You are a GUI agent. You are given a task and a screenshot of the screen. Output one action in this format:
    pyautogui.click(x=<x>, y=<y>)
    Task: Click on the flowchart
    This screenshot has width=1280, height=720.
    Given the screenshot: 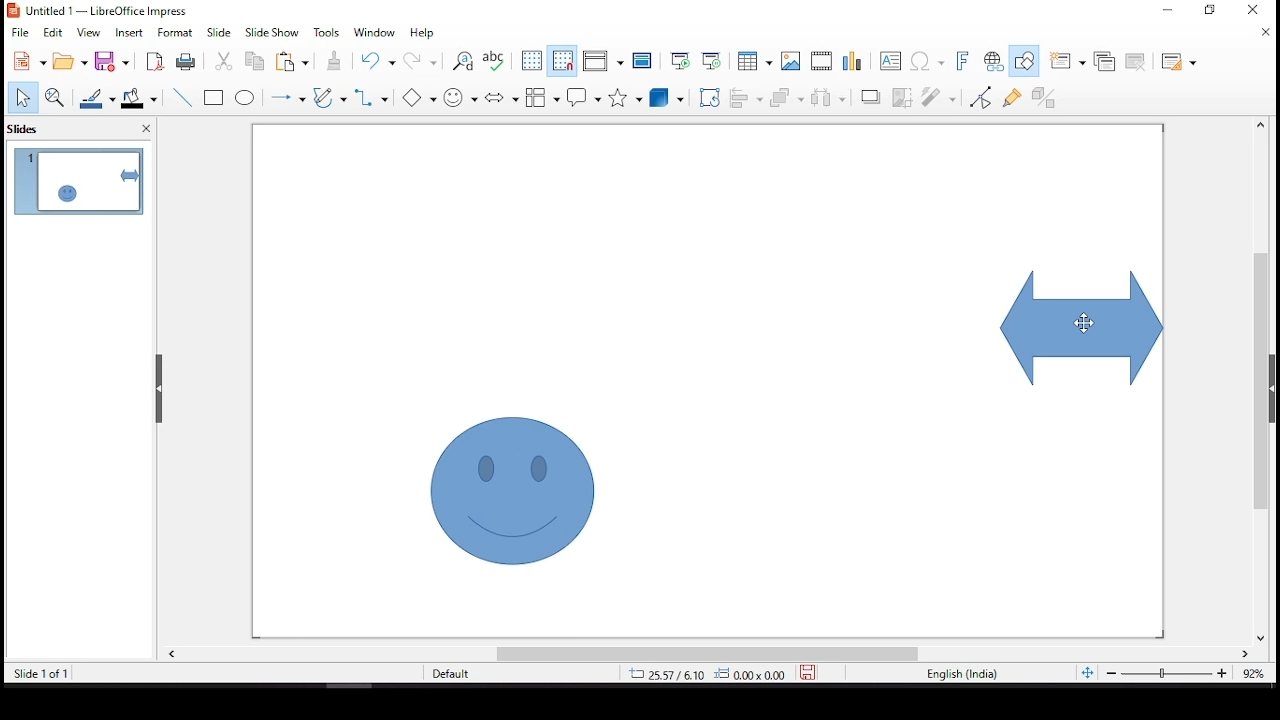 What is the action you would take?
    pyautogui.click(x=543, y=97)
    